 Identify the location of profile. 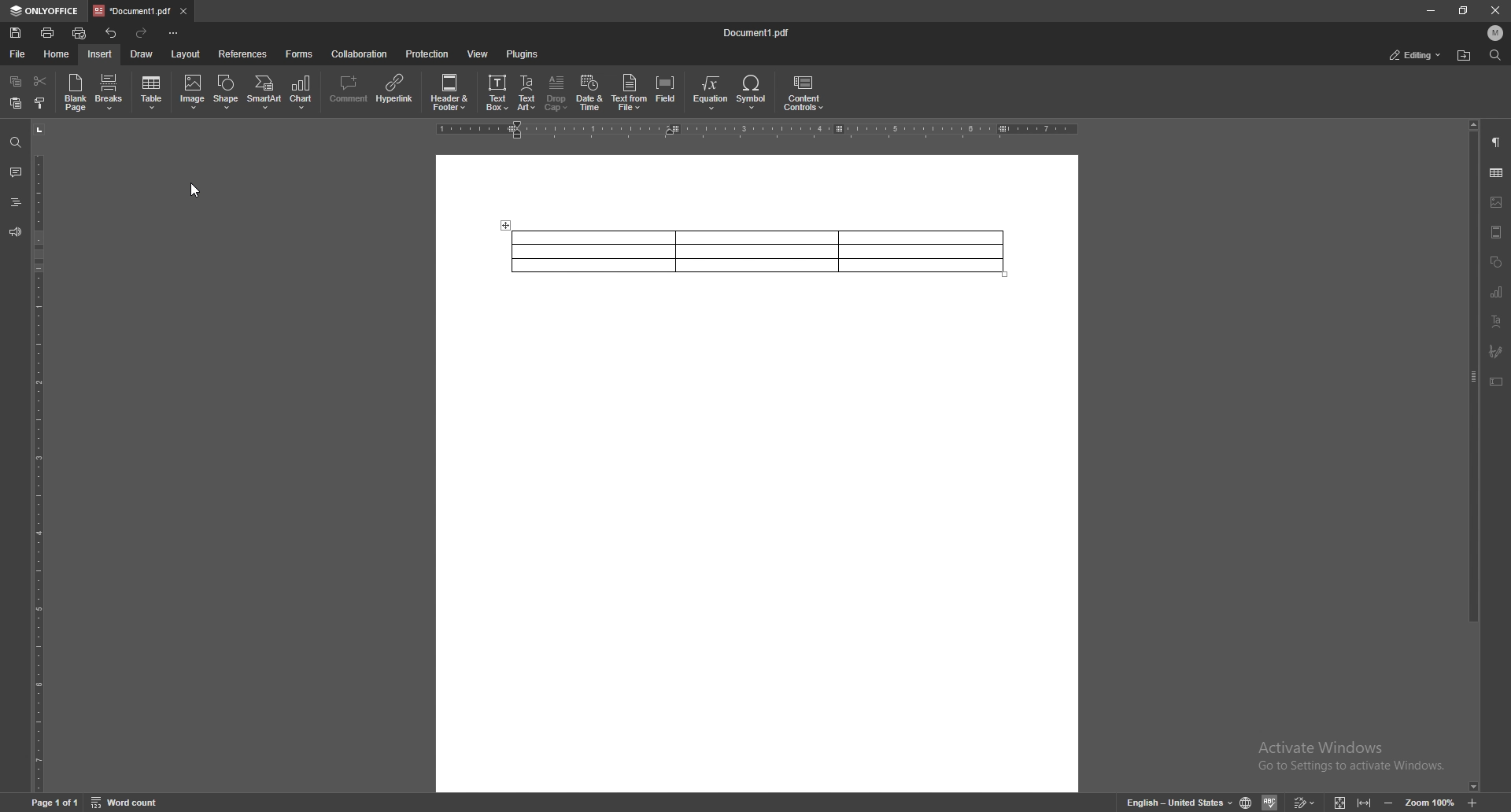
(1497, 32).